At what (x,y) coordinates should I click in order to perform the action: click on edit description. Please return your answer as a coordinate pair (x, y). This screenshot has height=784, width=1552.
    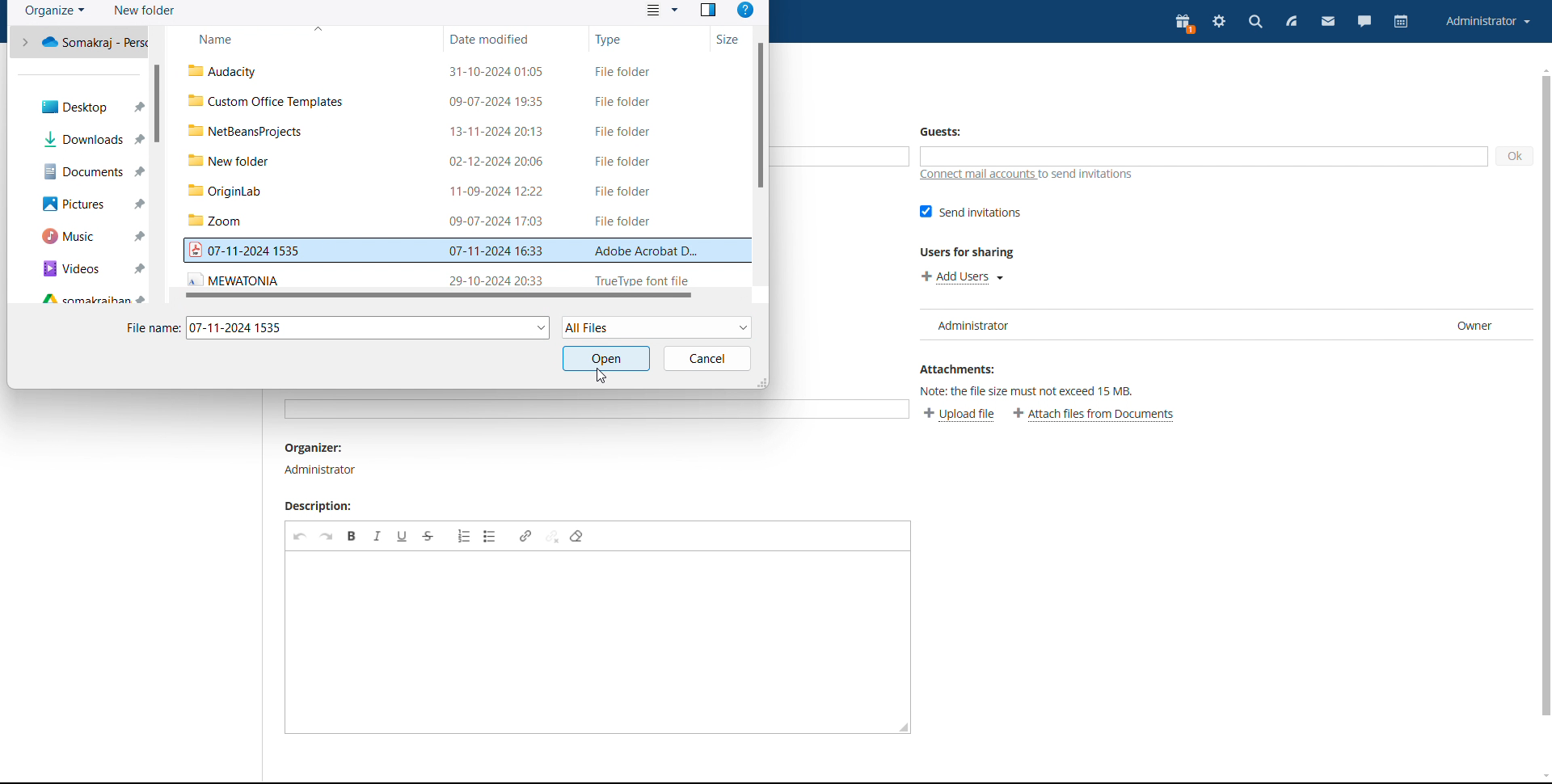
    Looking at the image, I should click on (589, 643).